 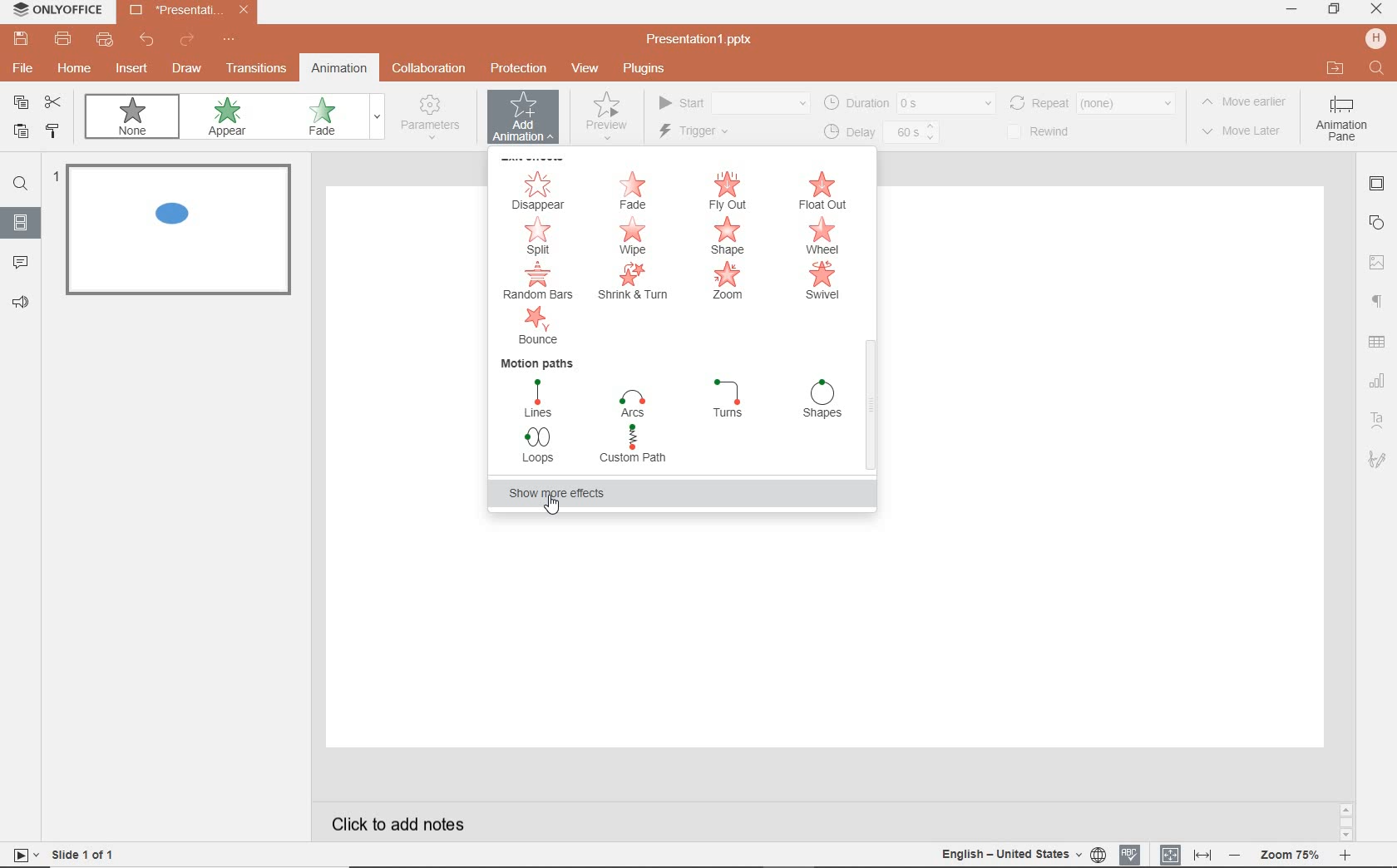 What do you see at coordinates (434, 118) in the screenshot?
I see `parameters` at bounding box center [434, 118].